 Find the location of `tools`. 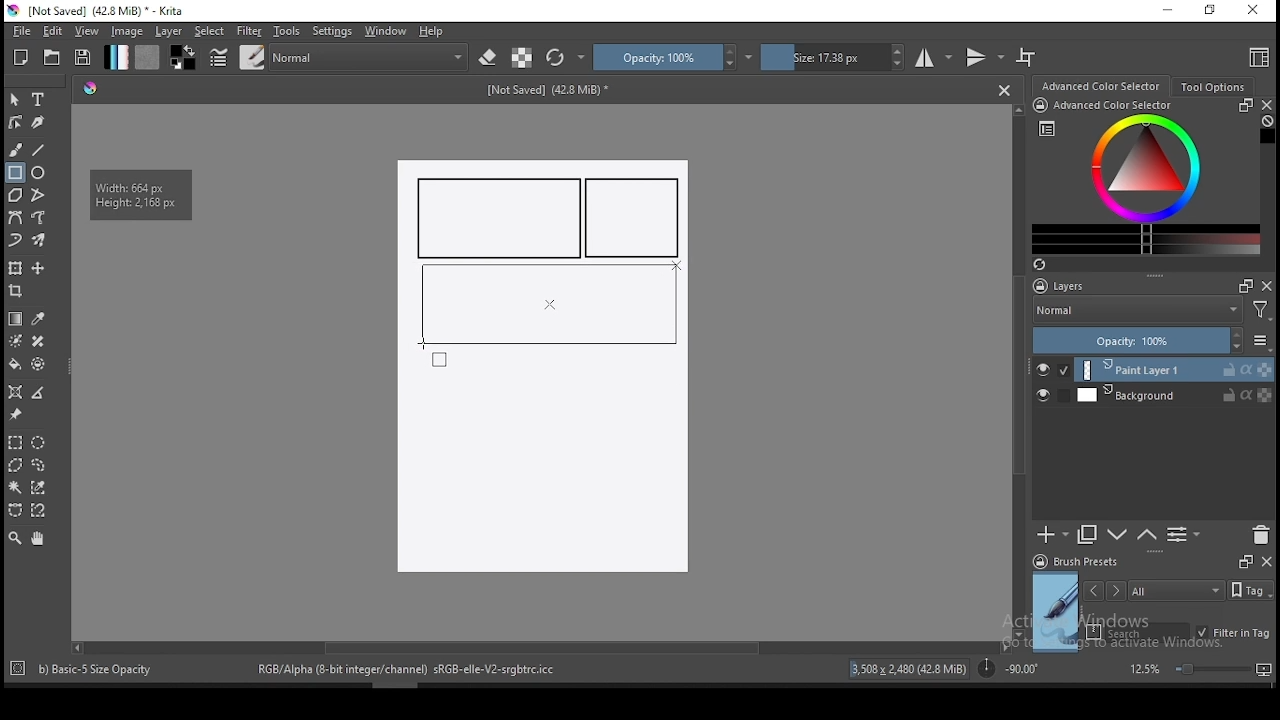

tools is located at coordinates (287, 31).